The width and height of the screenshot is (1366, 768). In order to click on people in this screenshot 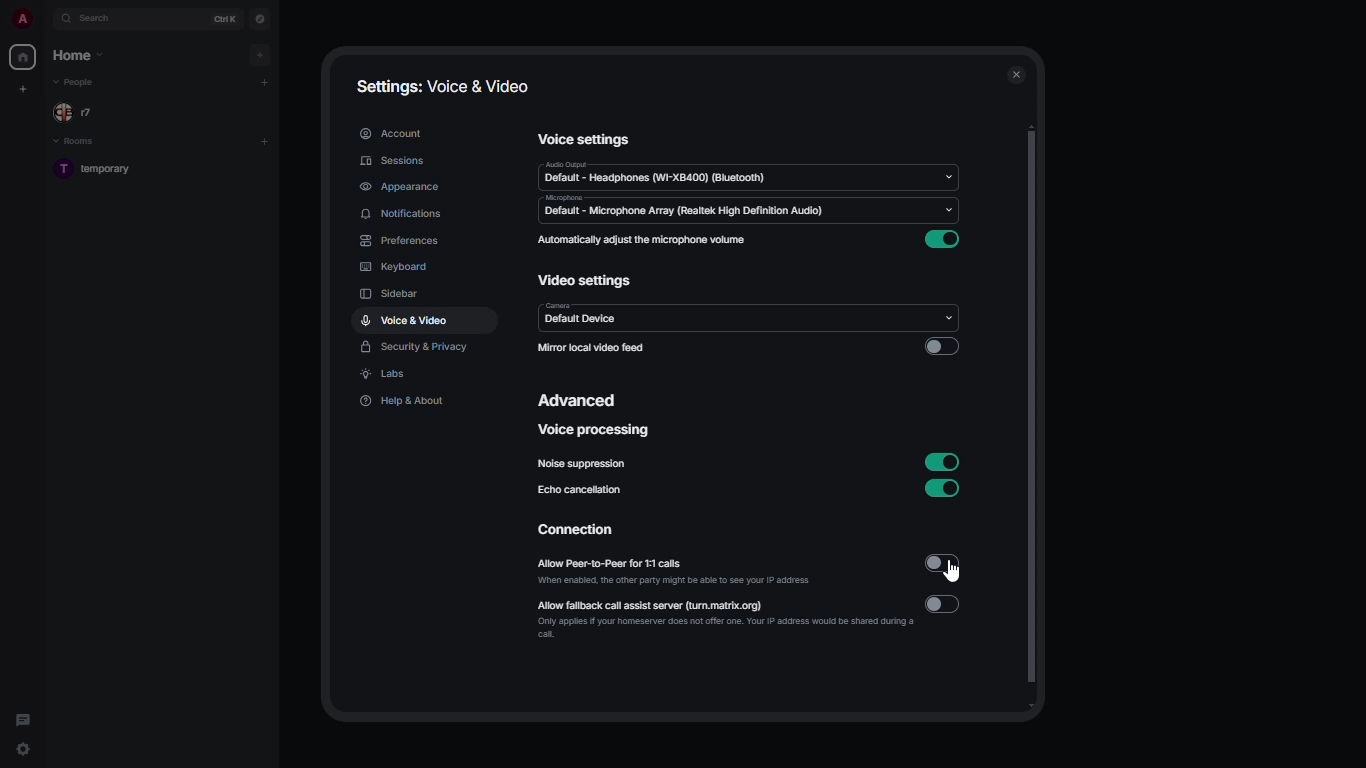, I will do `click(77, 83)`.